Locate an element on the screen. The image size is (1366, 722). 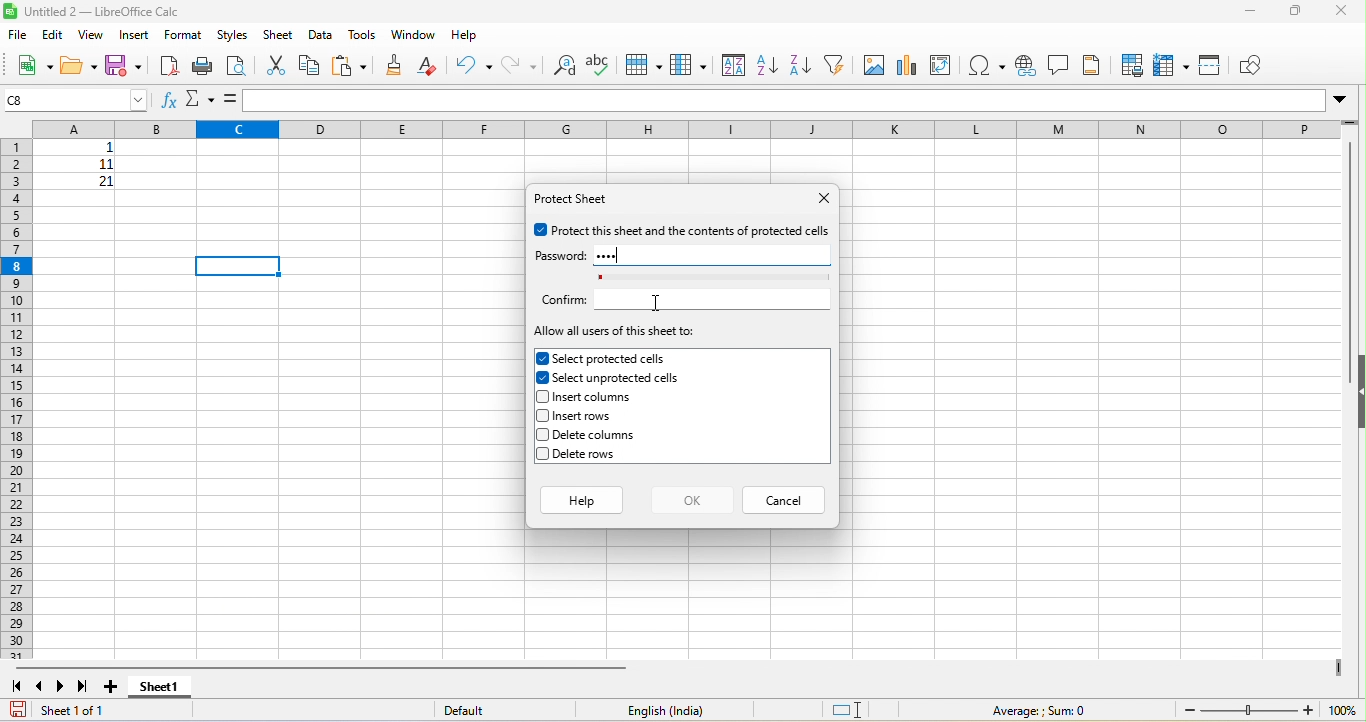
define print area is located at coordinates (1133, 67).